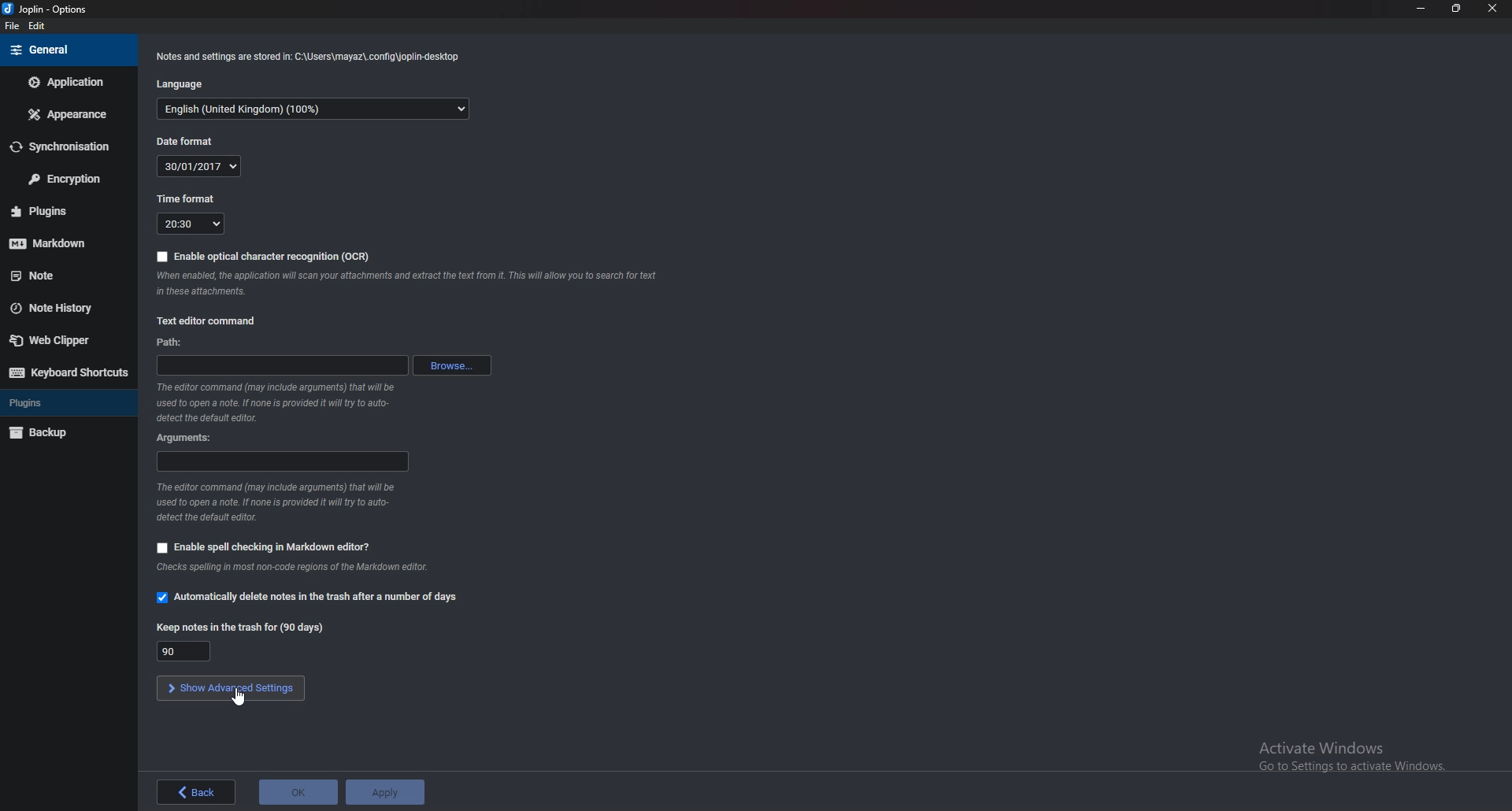  Describe the element at coordinates (191, 224) in the screenshot. I see `20:30` at that location.